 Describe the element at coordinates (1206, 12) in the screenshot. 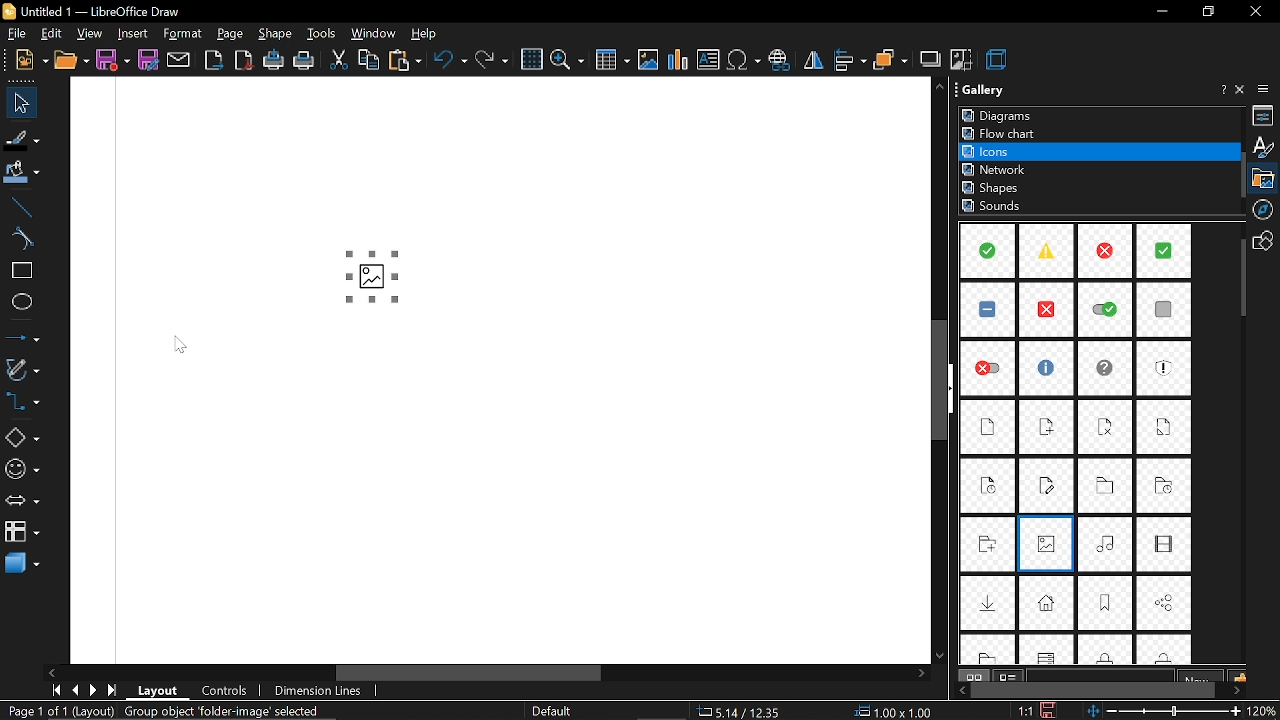

I see `restore down` at that location.